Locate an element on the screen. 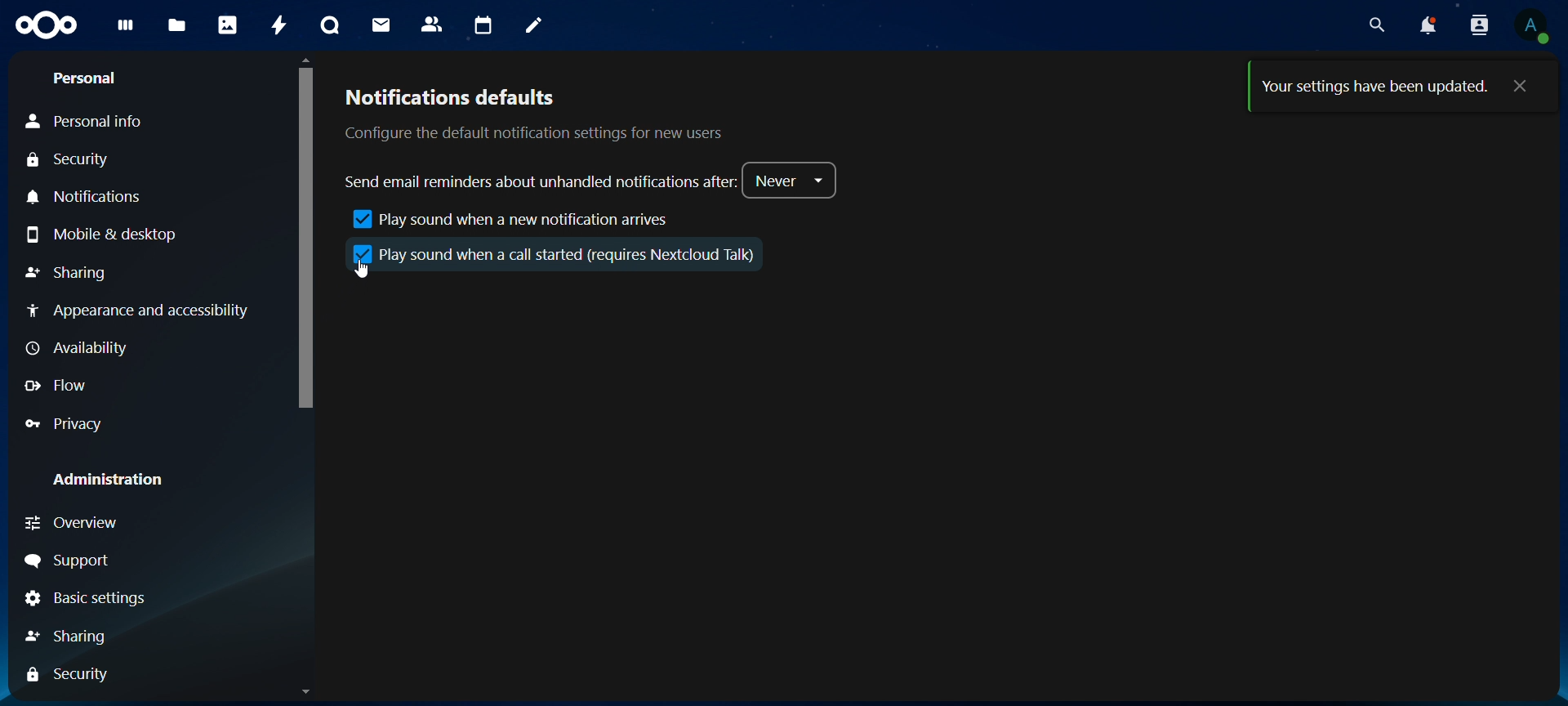 This screenshot has height=706, width=1568. search contacts is located at coordinates (1480, 26).